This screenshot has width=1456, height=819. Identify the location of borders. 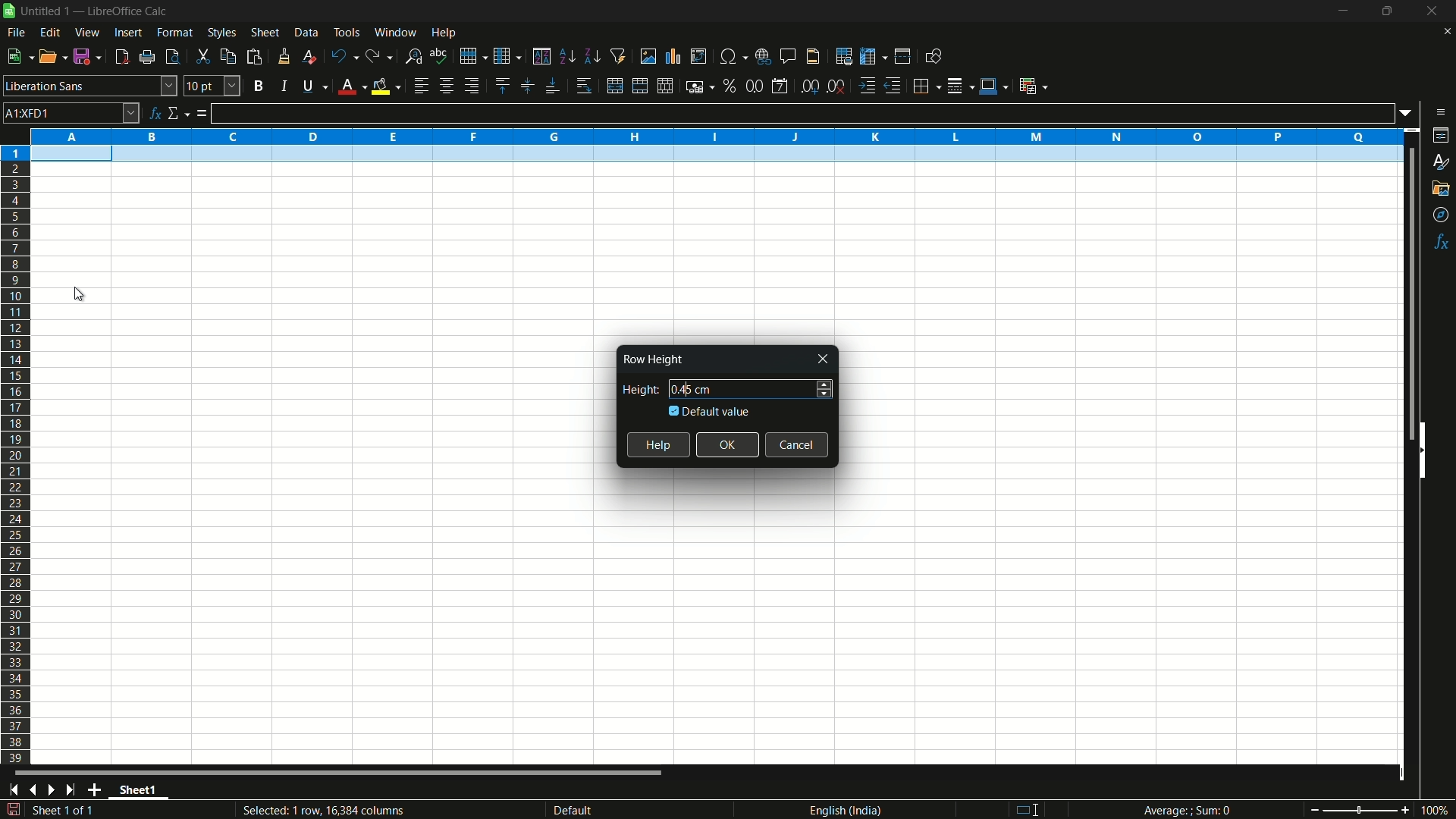
(927, 84).